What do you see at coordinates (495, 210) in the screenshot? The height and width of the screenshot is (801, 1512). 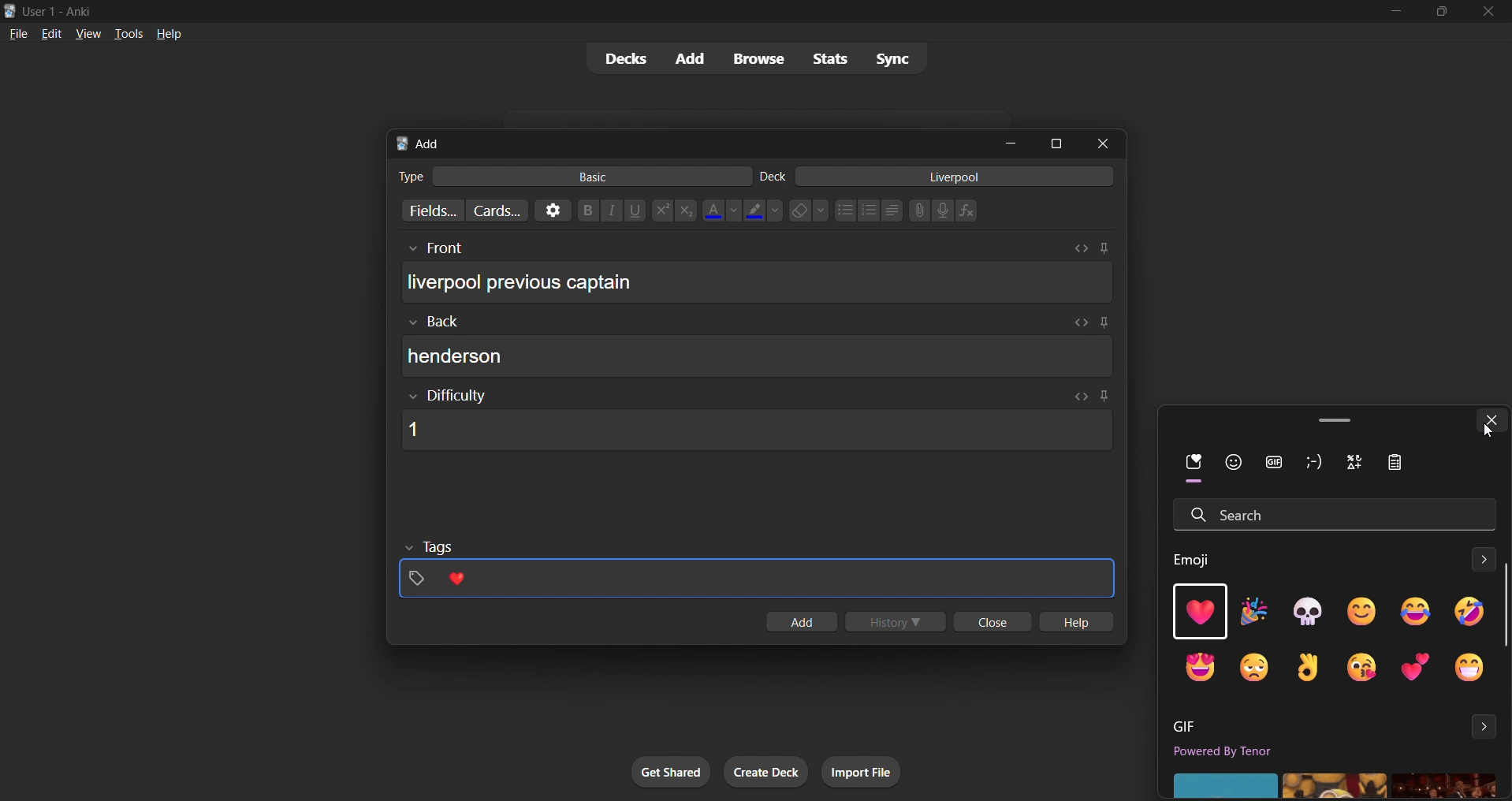 I see `customize card templates` at bounding box center [495, 210].